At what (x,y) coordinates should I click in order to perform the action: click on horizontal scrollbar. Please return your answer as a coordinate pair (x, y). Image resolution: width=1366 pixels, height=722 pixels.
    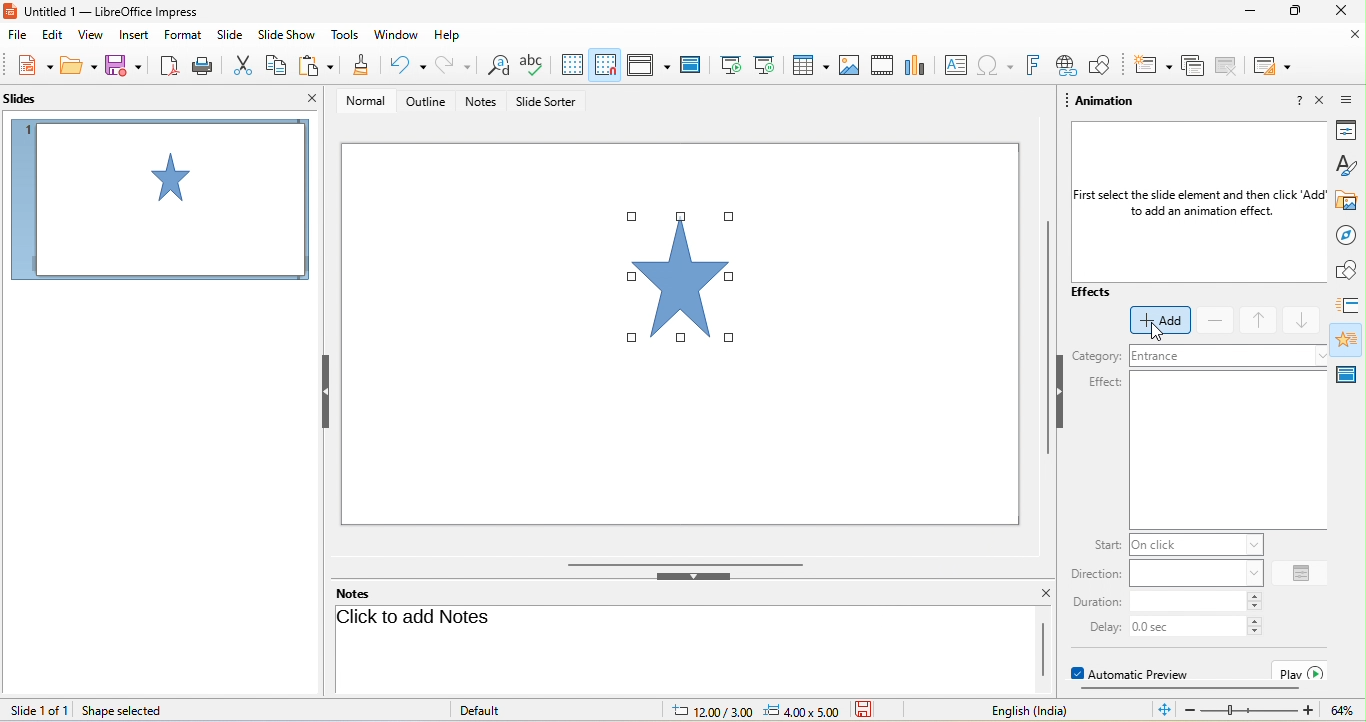
    Looking at the image, I should click on (688, 563).